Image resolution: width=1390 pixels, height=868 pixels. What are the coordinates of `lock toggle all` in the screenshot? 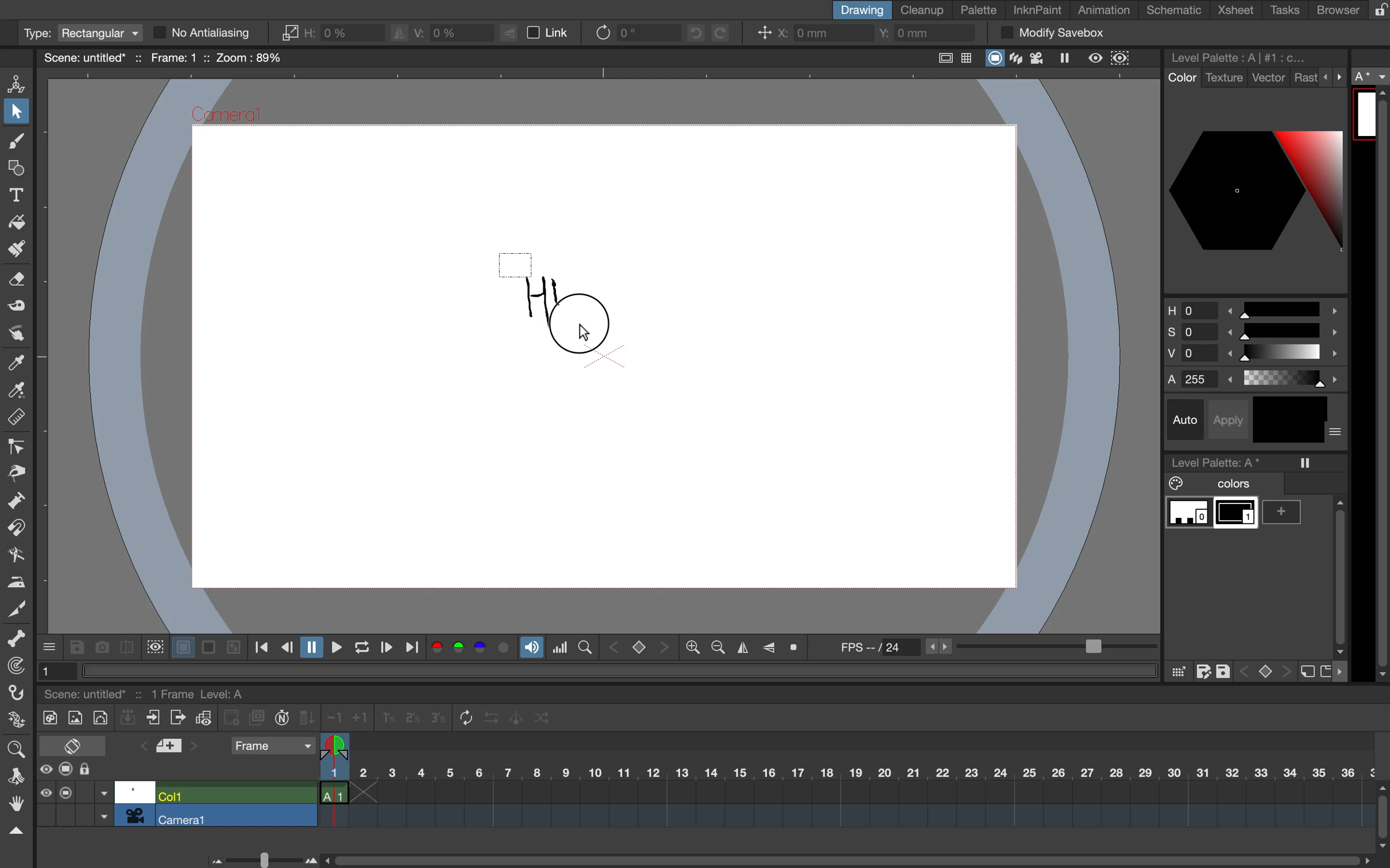 It's located at (96, 770).